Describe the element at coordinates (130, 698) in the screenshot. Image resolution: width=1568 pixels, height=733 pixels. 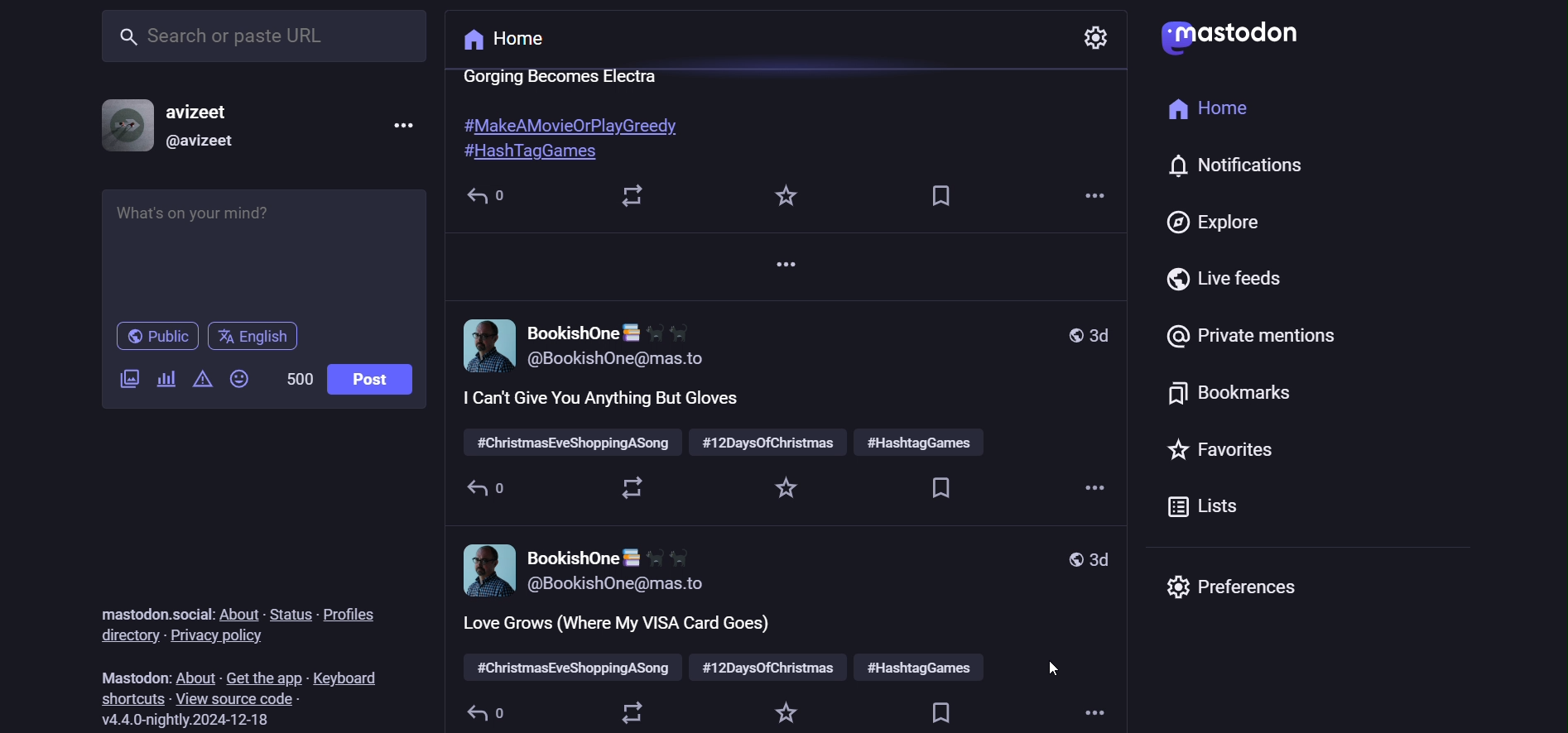
I see `shortcut` at that location.